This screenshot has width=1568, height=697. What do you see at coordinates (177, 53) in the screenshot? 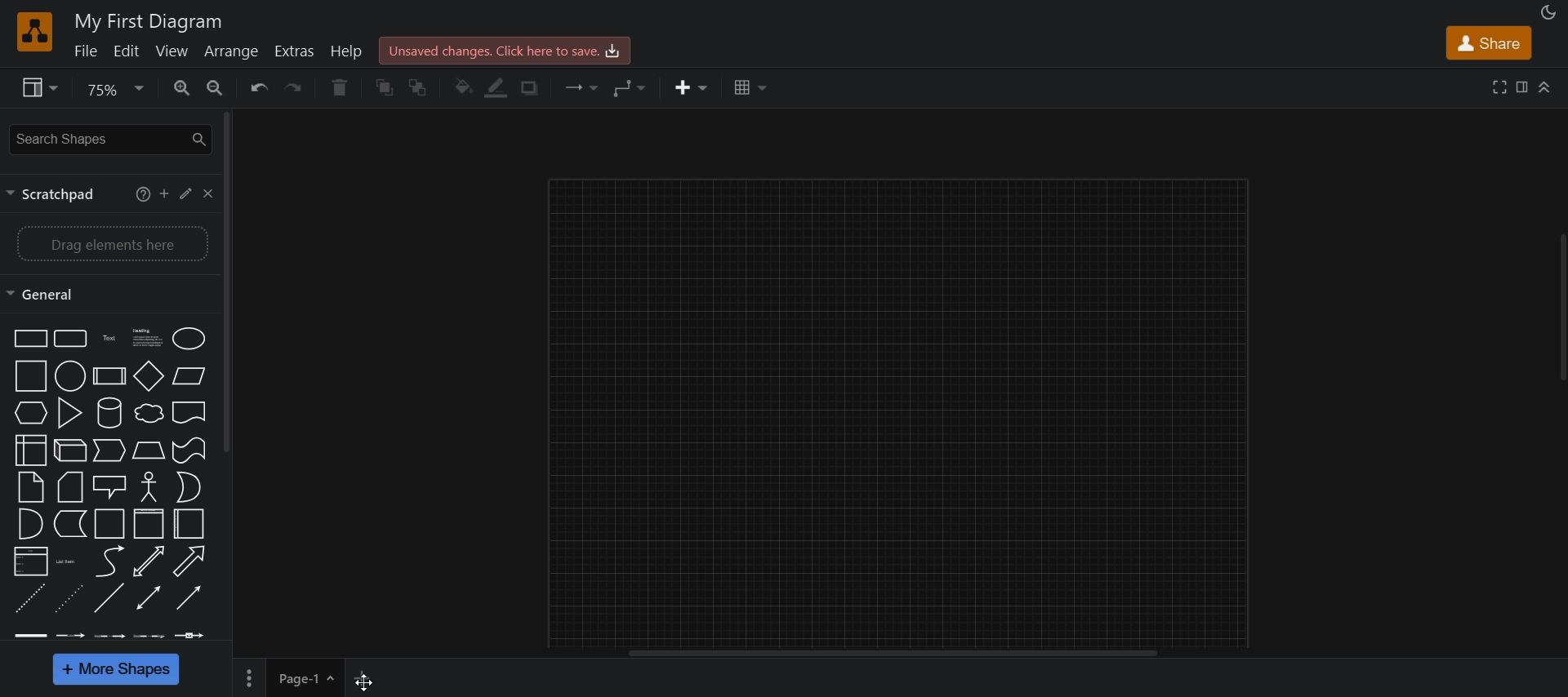
I see `view` at bounding box center [177, 53].